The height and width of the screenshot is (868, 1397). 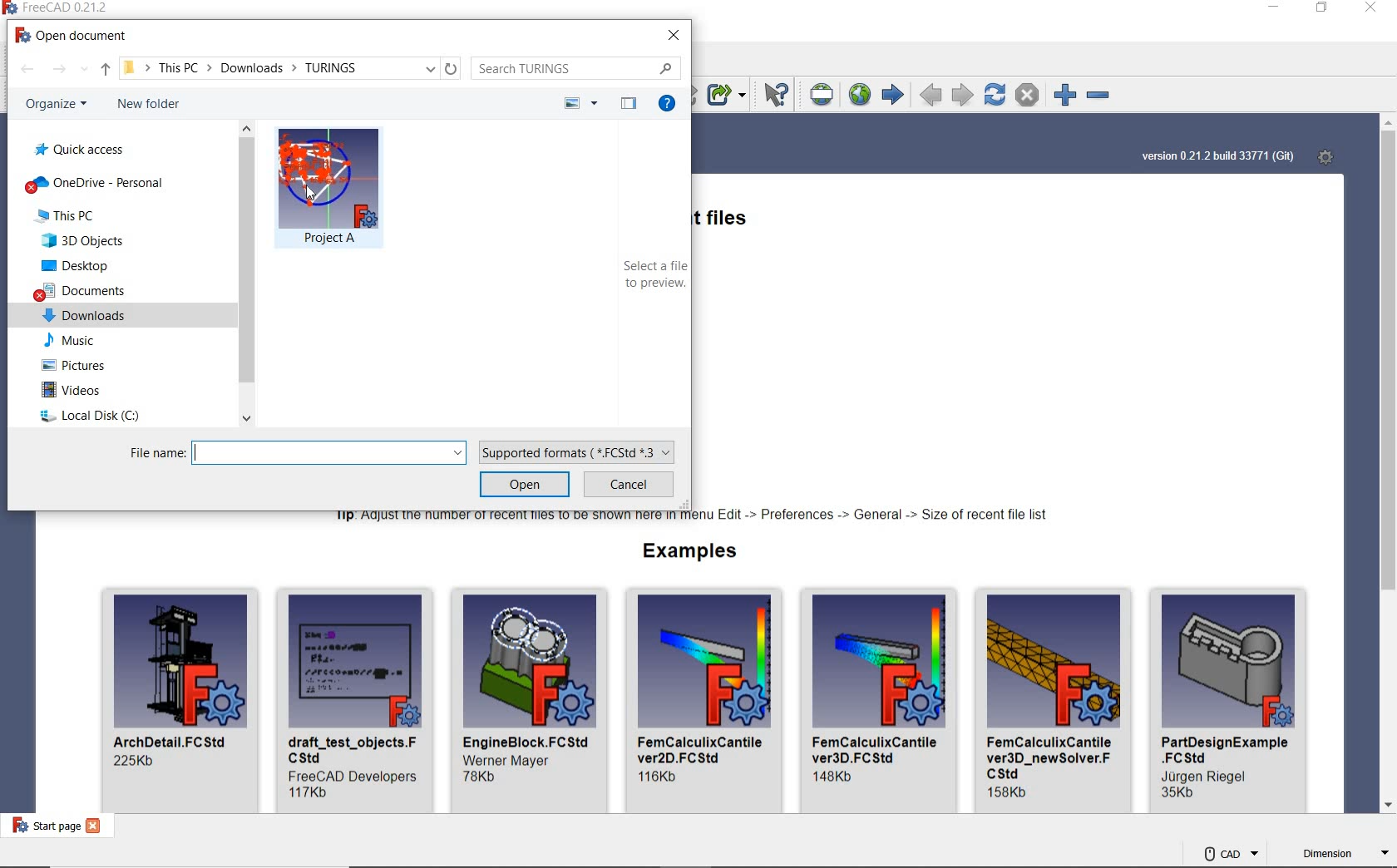 What do you see at coordinates (146, 106) in the screenshot?
I see `NEW FOLDER` at bounding box center [146, 106].